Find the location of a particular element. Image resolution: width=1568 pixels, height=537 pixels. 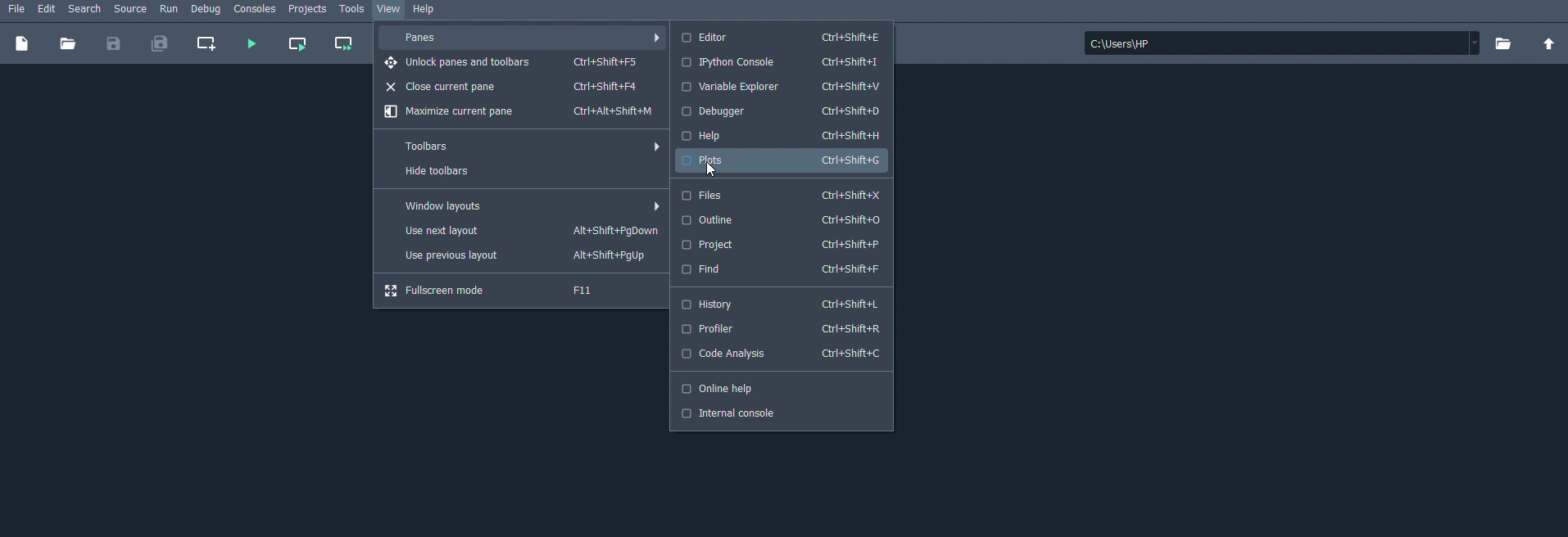

Debugger is located at coordinates (781, 111).